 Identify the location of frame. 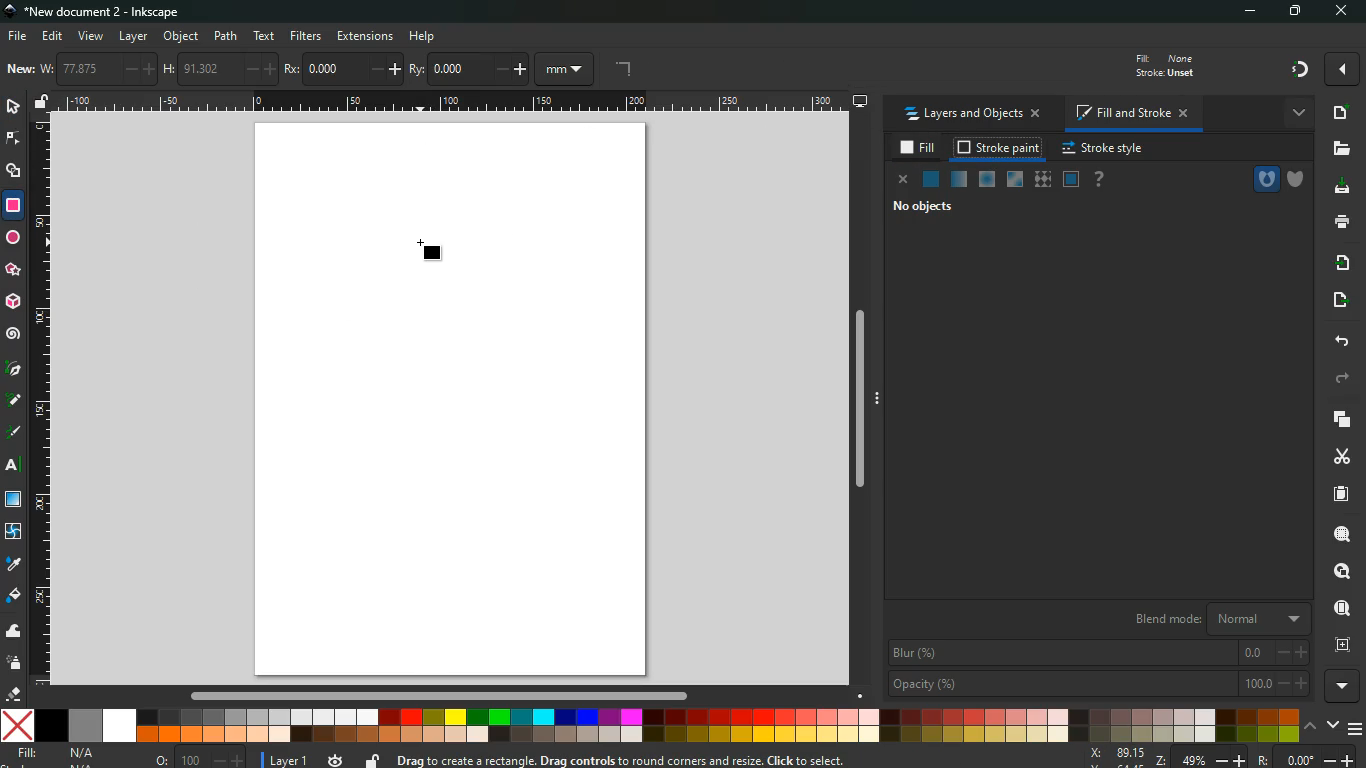
(1341, 645).